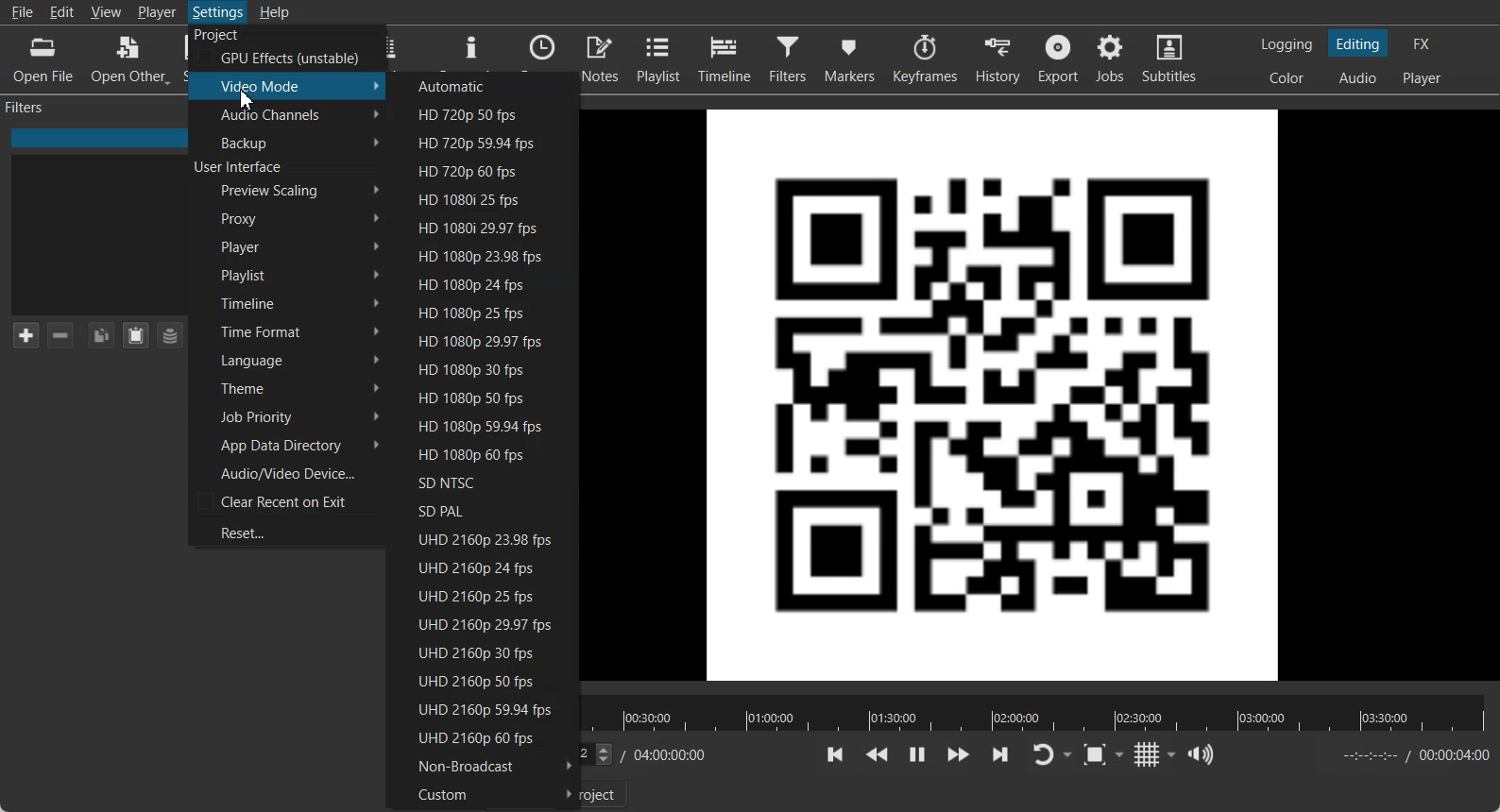 The height and width of the screenshot is (812, 1500). Describe the element at coordinates (136, 335) in the screenshot. I see `Paste Filter` at that location.